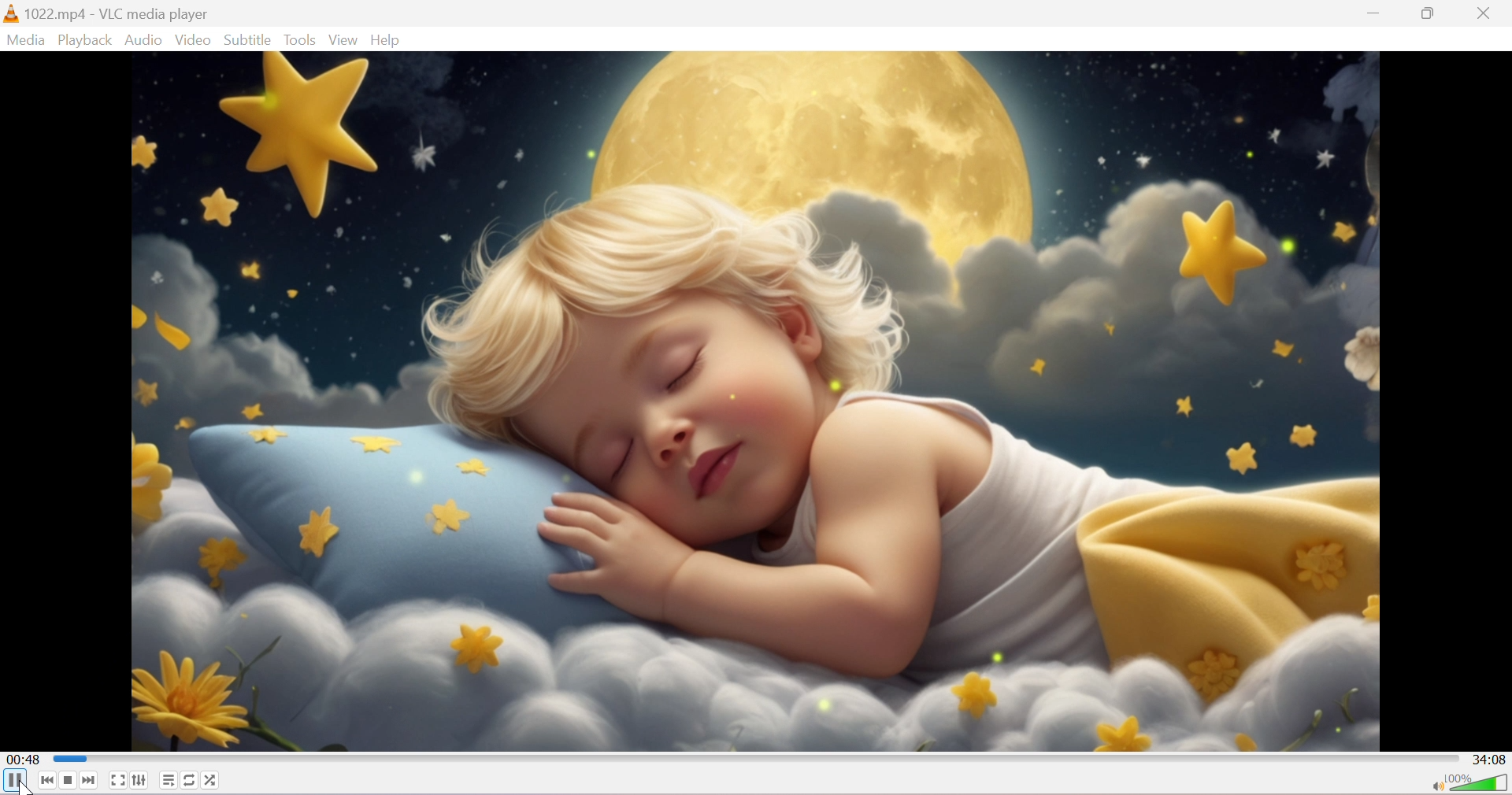 The height and width of the screenshot is (795, 1512). I want to click on playback, so click(754, 401).